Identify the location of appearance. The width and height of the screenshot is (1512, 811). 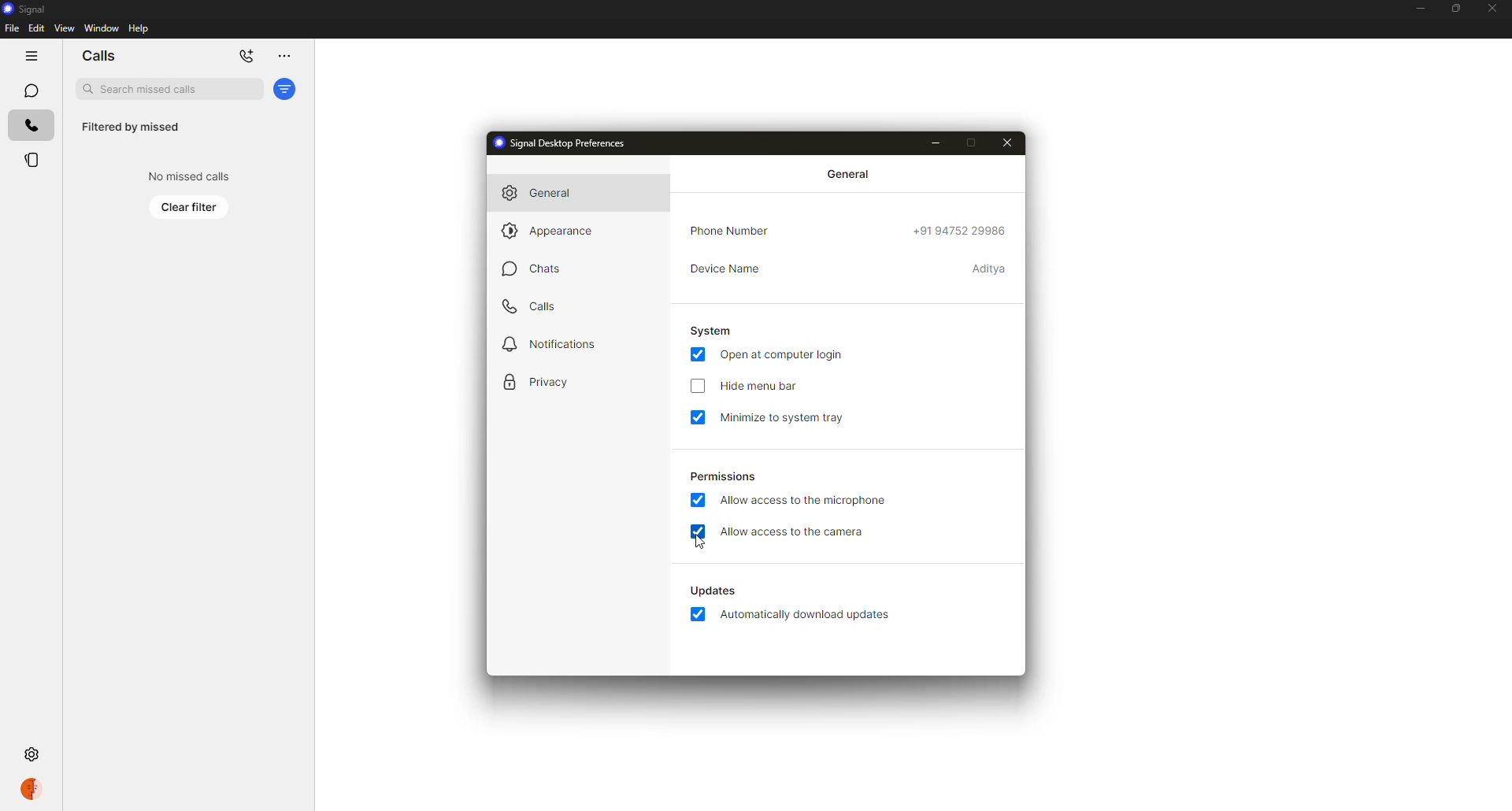
(554, 229).